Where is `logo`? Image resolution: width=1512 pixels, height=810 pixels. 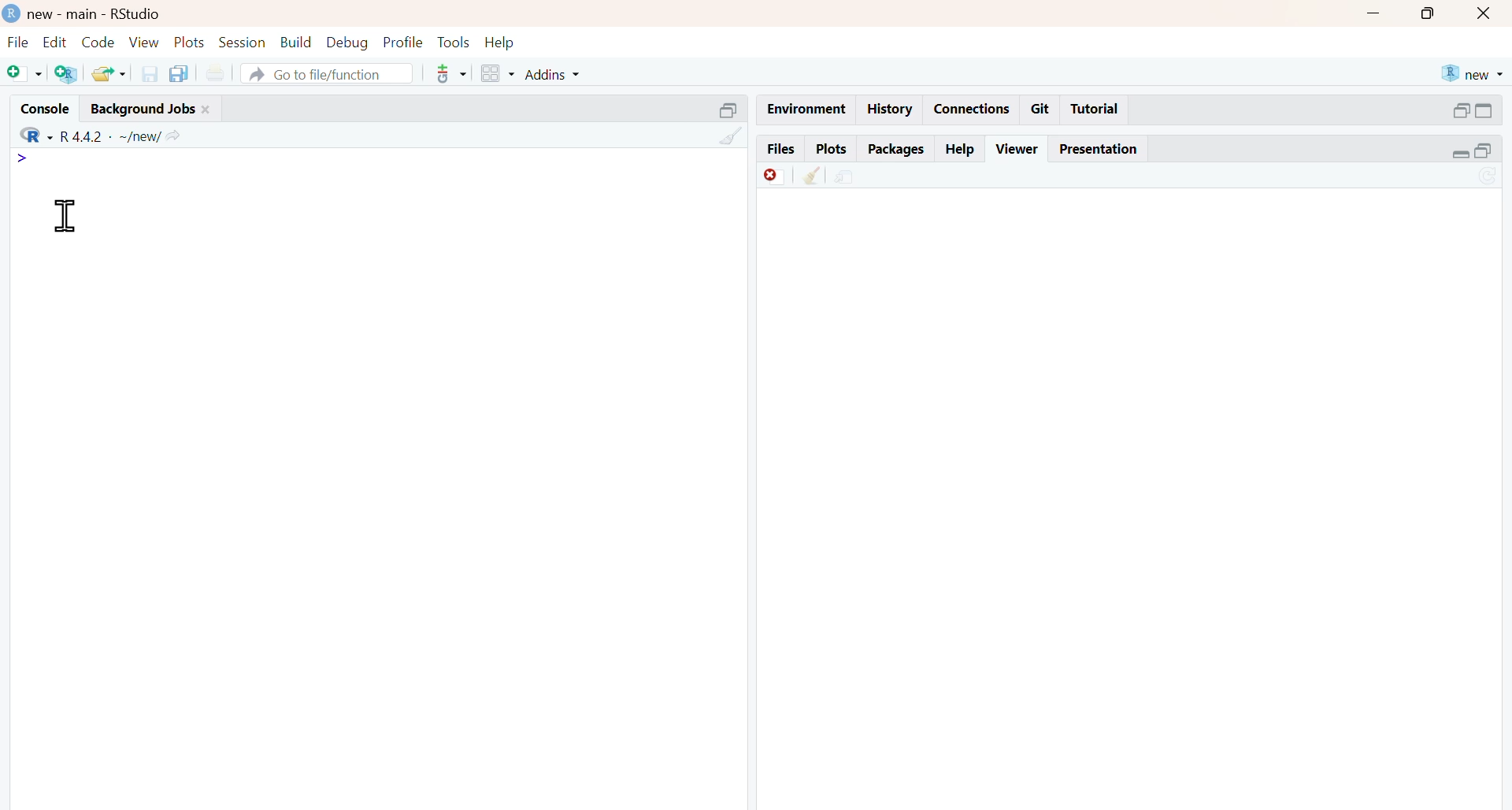
logo is located at coordinates (13, 13).